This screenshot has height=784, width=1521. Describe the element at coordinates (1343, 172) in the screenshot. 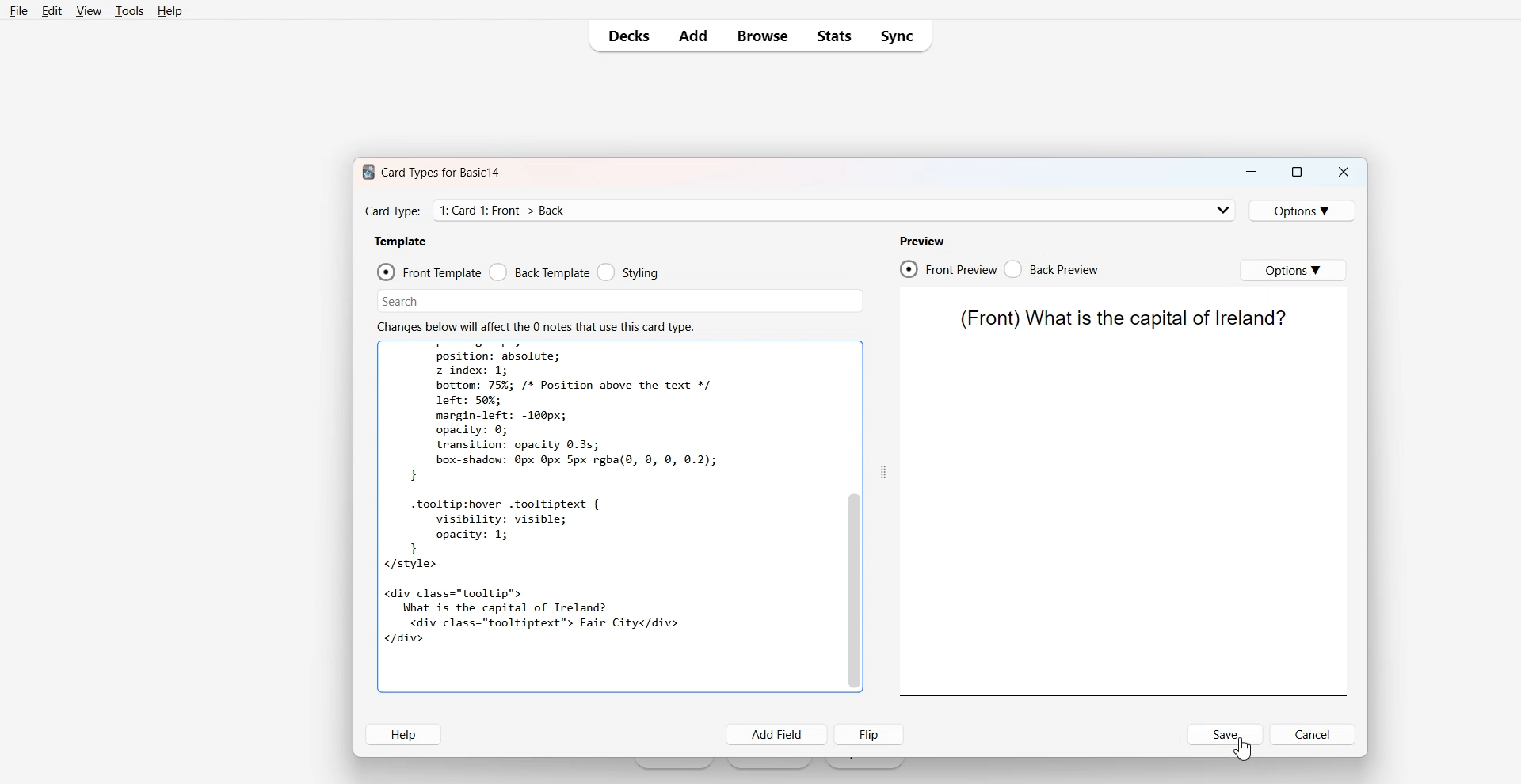

I see `Close` at that location.